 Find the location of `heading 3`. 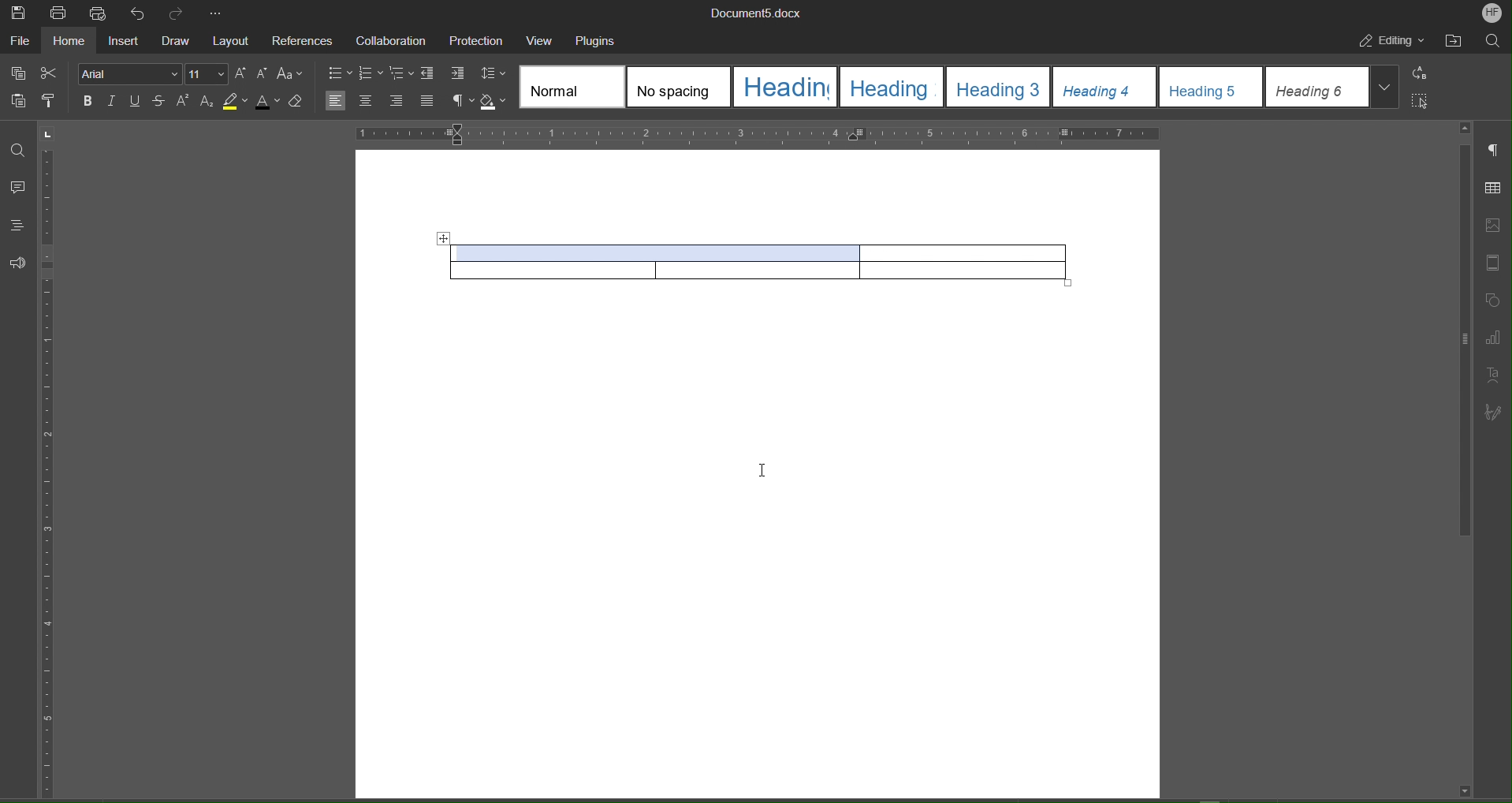

heading 3 is located at coordinates (999, 87).